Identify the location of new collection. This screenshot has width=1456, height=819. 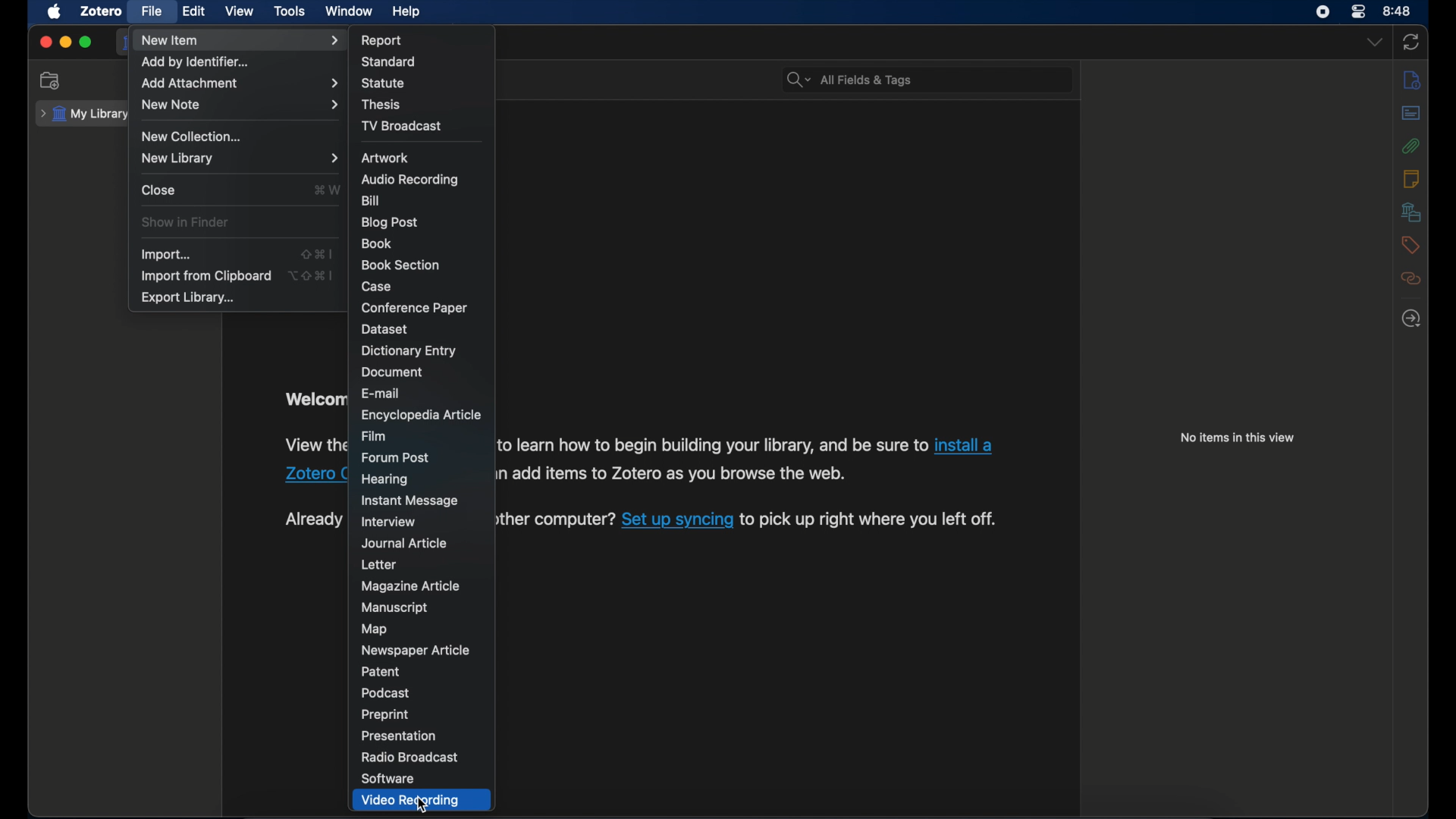
(52, 81).